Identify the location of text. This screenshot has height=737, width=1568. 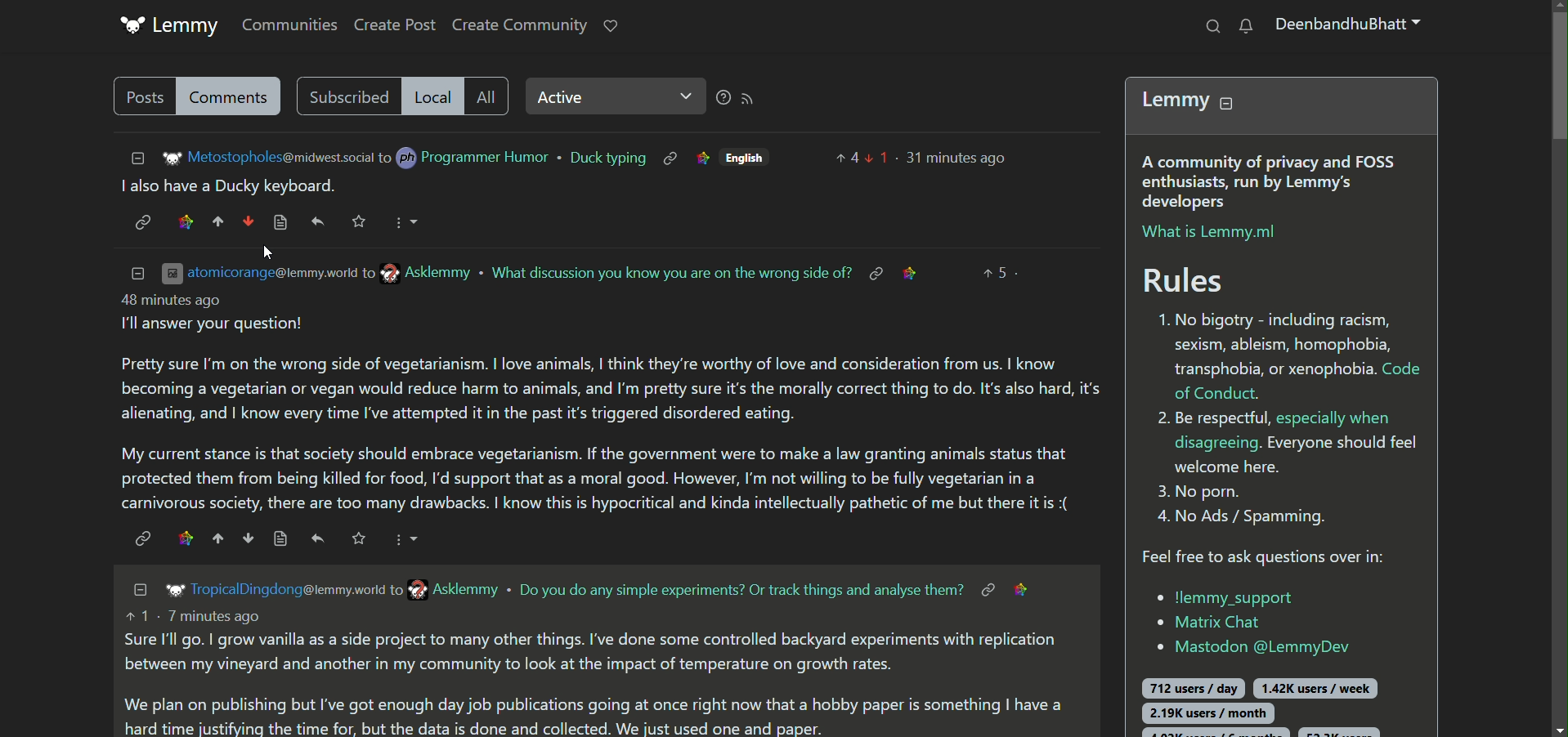
(741, 590).